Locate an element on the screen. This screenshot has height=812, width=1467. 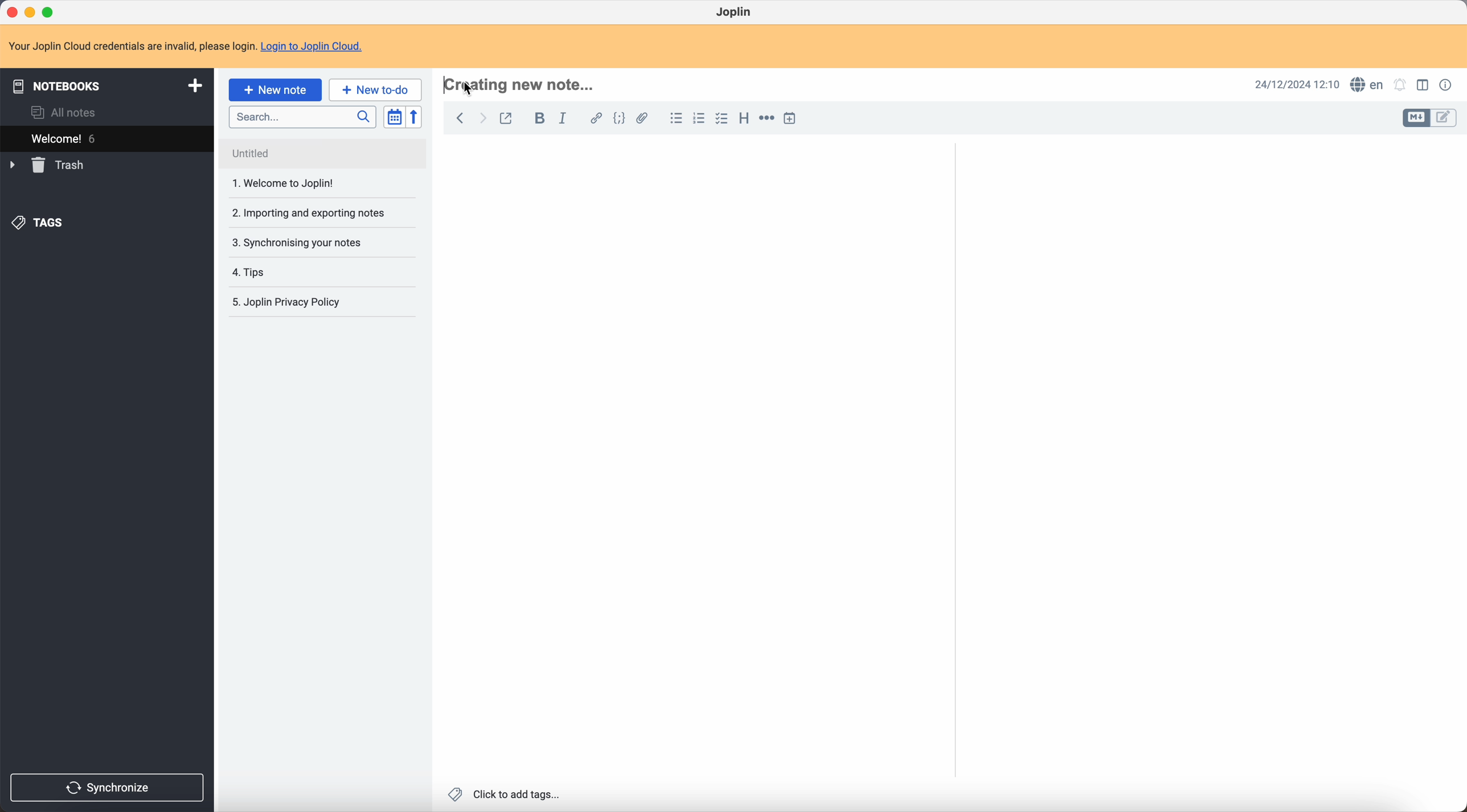
synchronising your notes is located at coordinates (315, 242).